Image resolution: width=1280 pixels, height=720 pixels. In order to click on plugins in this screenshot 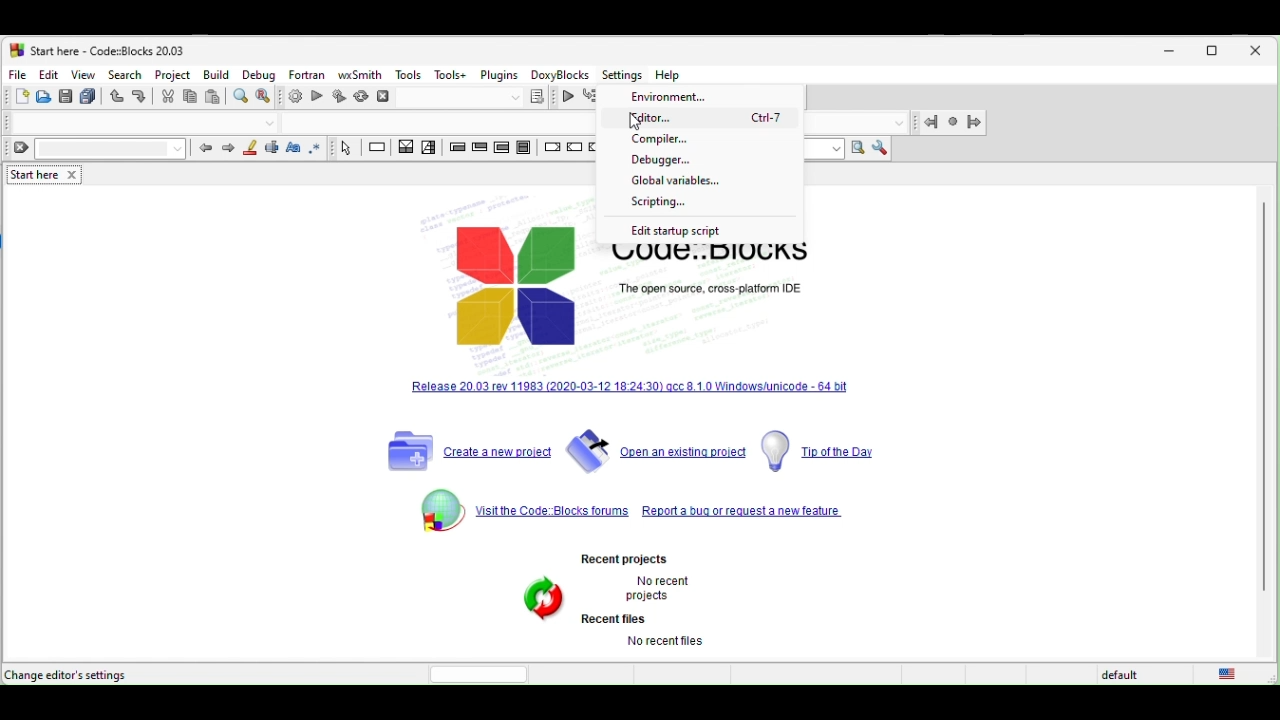, I will do `click(500, 76)`.